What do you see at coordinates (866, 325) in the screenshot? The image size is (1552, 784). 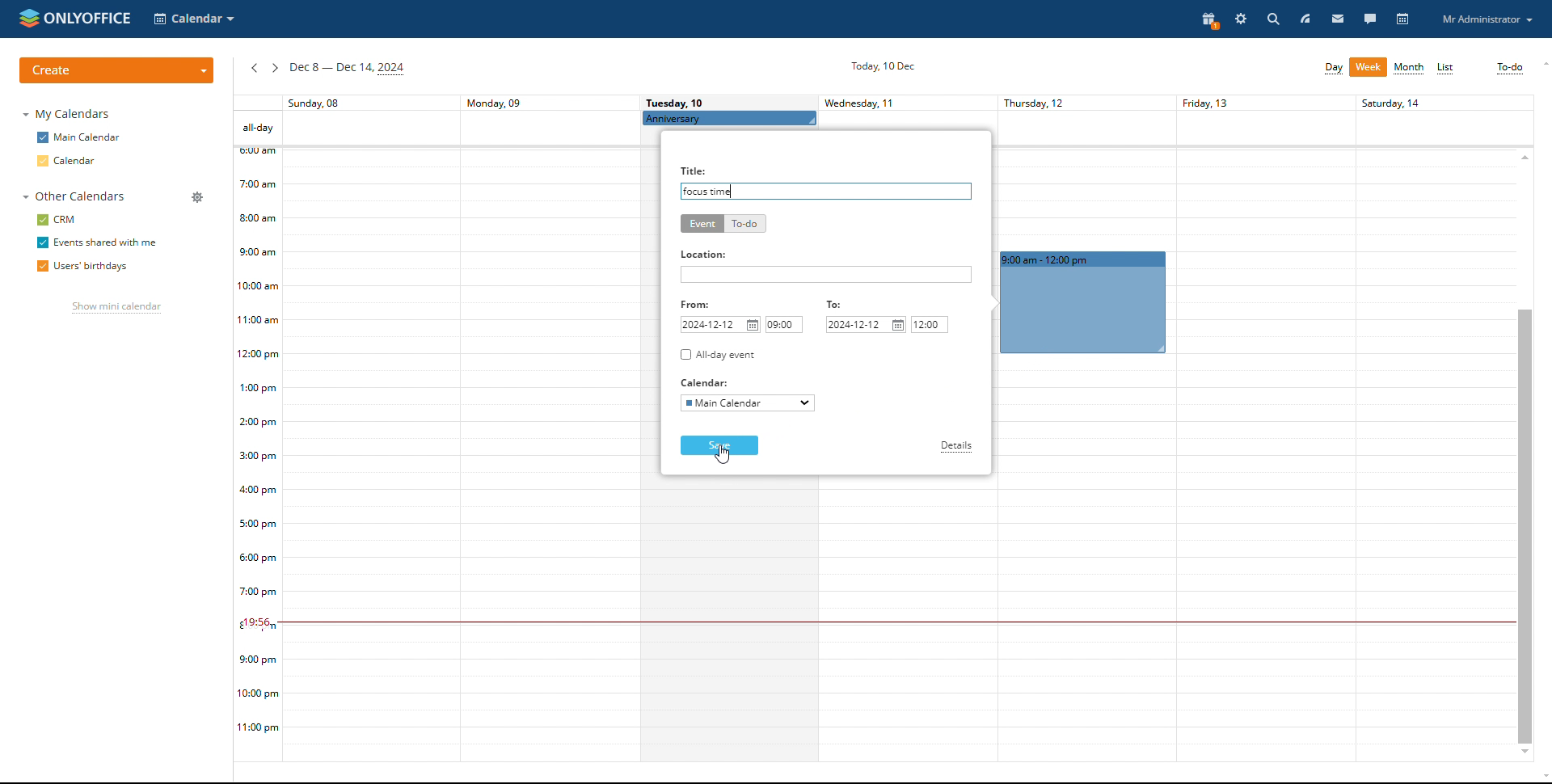 I see `end date` at bounding box center [866, 325].